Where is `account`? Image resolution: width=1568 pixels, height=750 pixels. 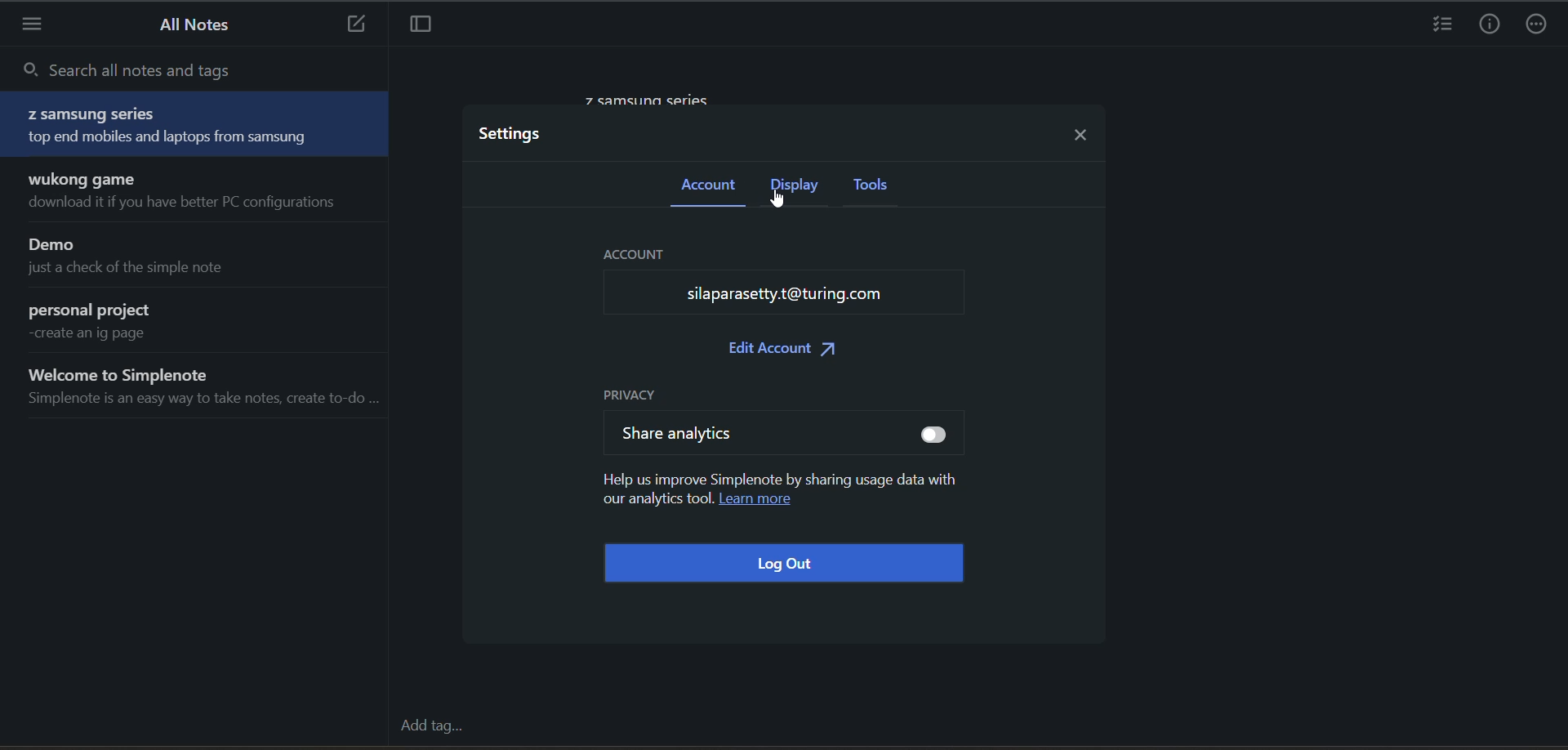 account is located at coordinates (715, 189).